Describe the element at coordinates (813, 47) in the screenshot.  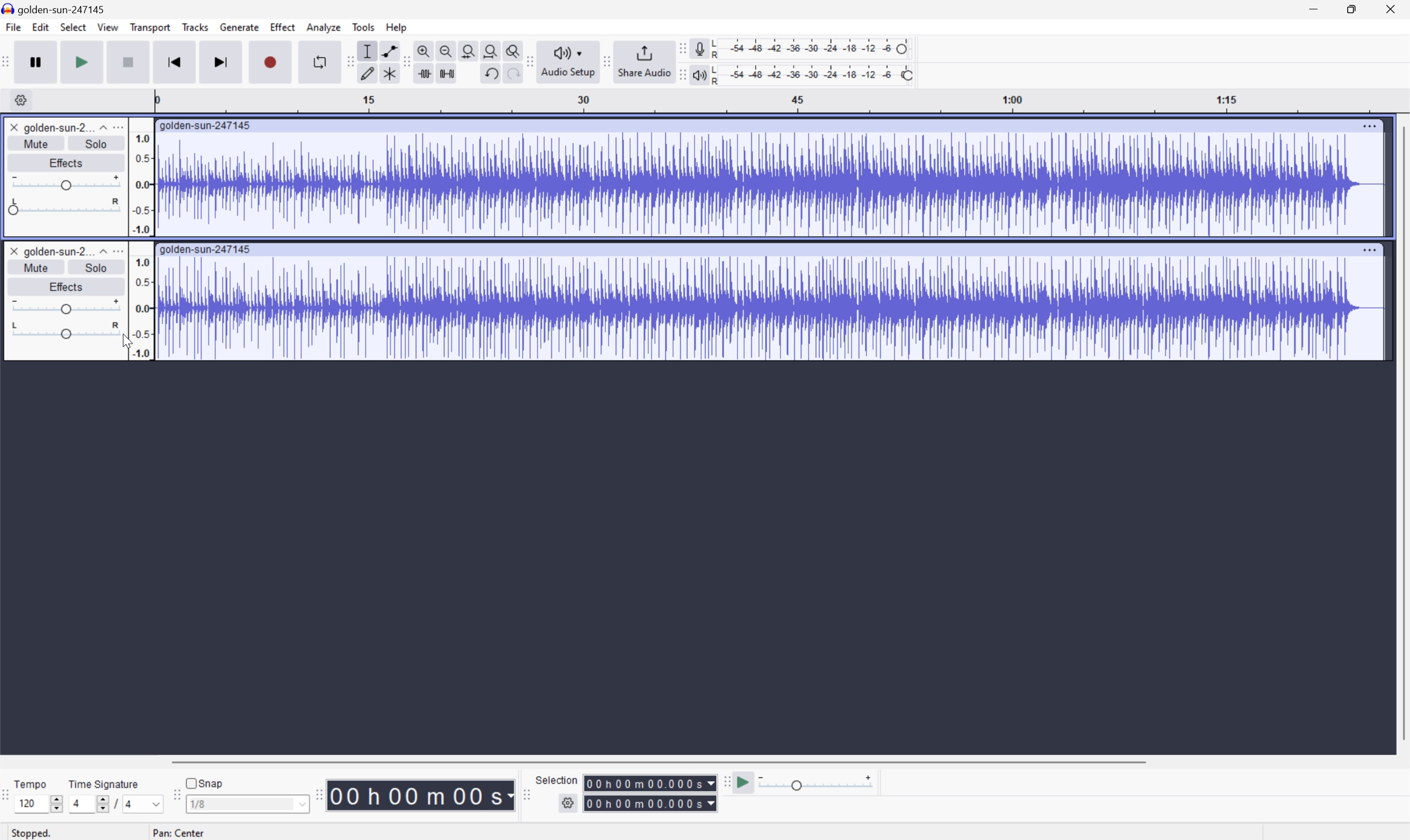
I see `Recording level: 62%` at that location.